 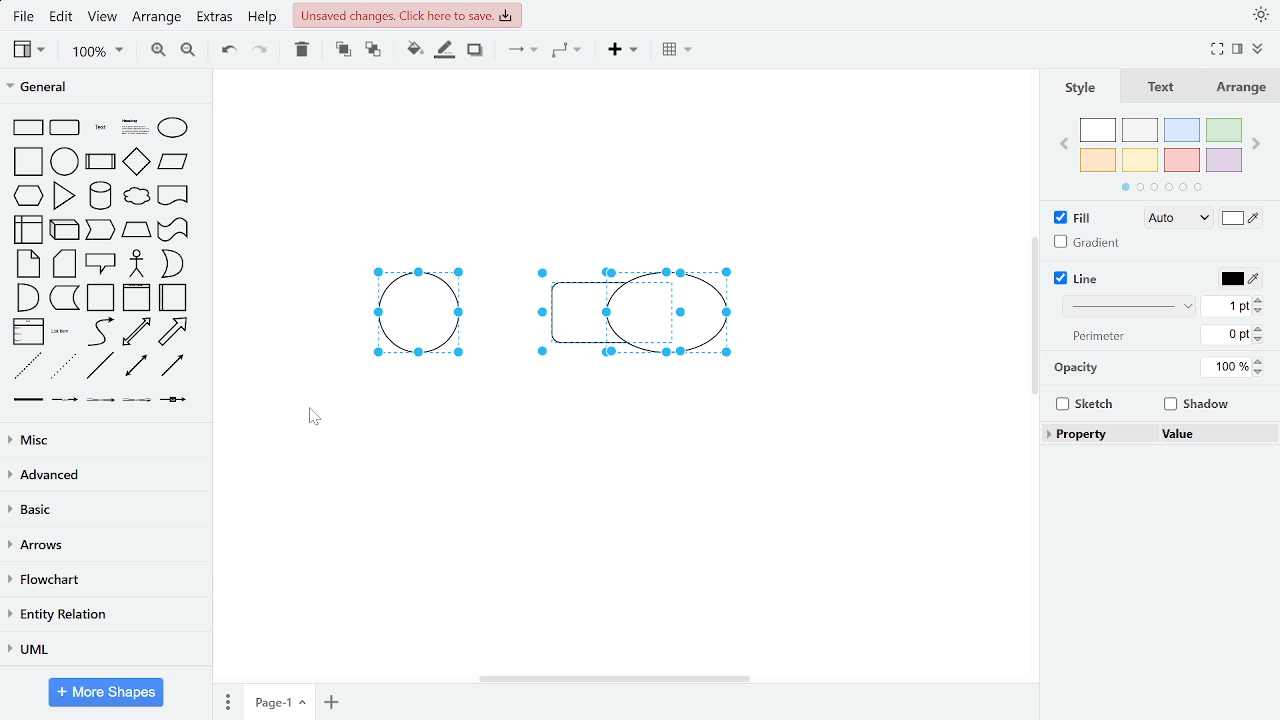 I want to click on process, so click(x=101, y=161).